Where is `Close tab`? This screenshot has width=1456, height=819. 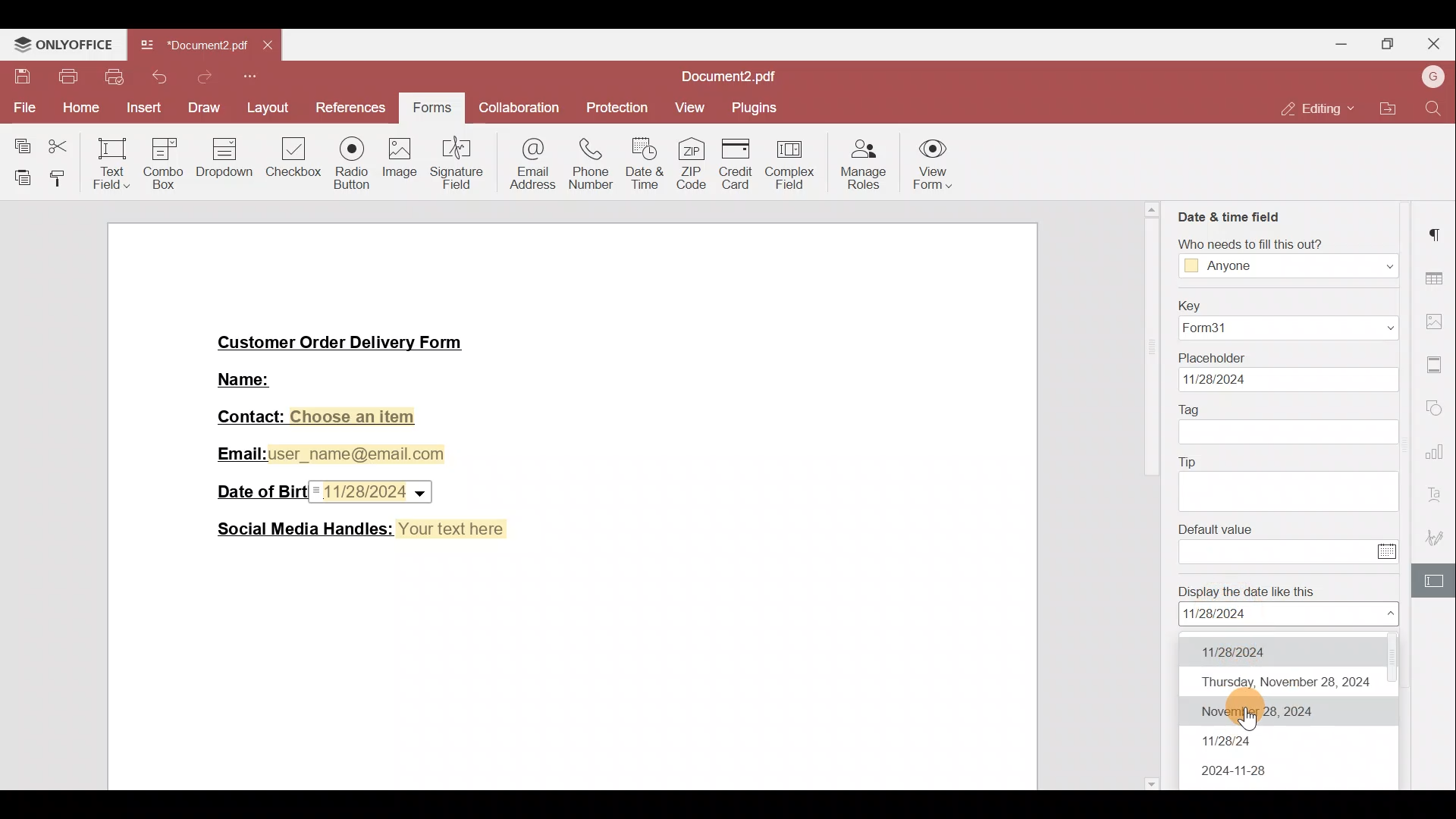 Close tab is located at coordinates (265, 46).